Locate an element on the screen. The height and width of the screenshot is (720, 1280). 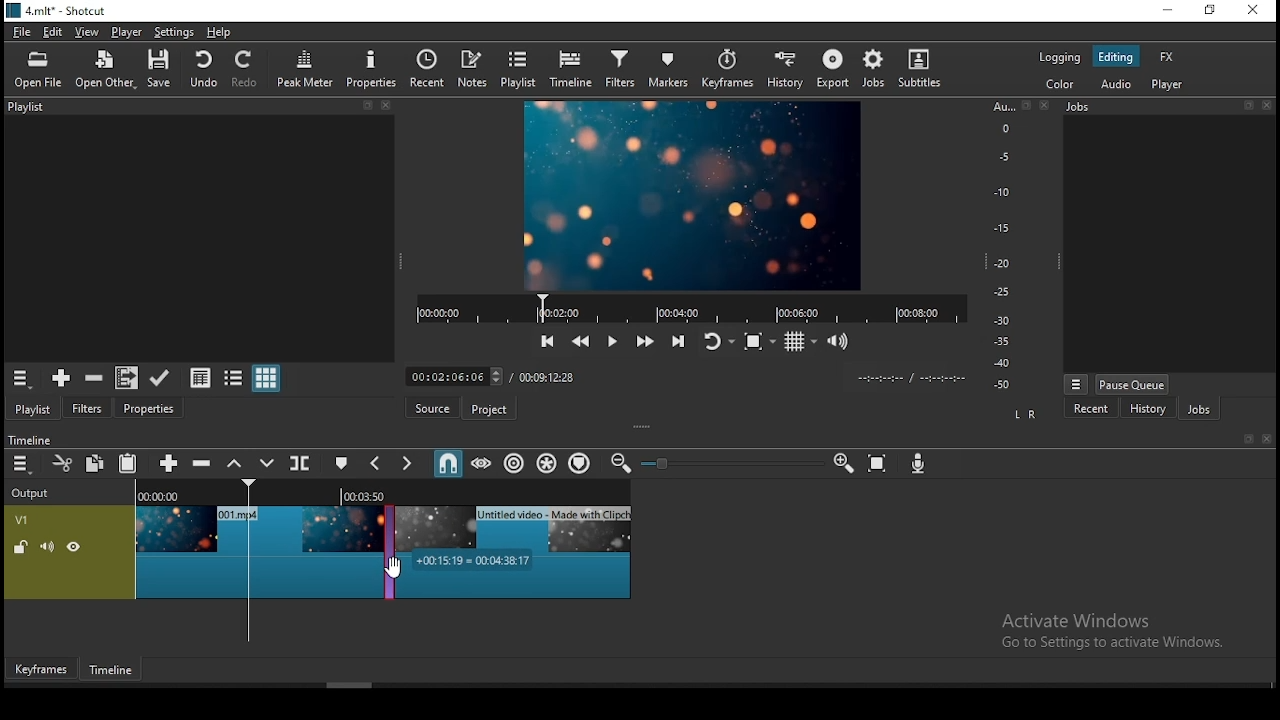
next marker is located at coordinates (409, 464).